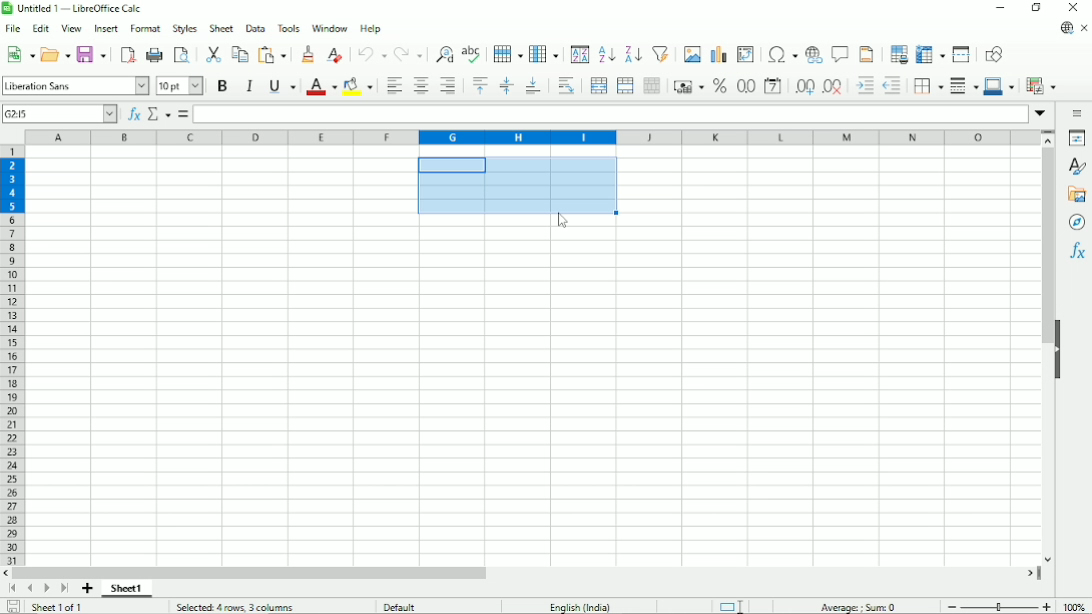  Describe the element at coordinates (480, 86) in the screenshot. I see `Align top` at that location.